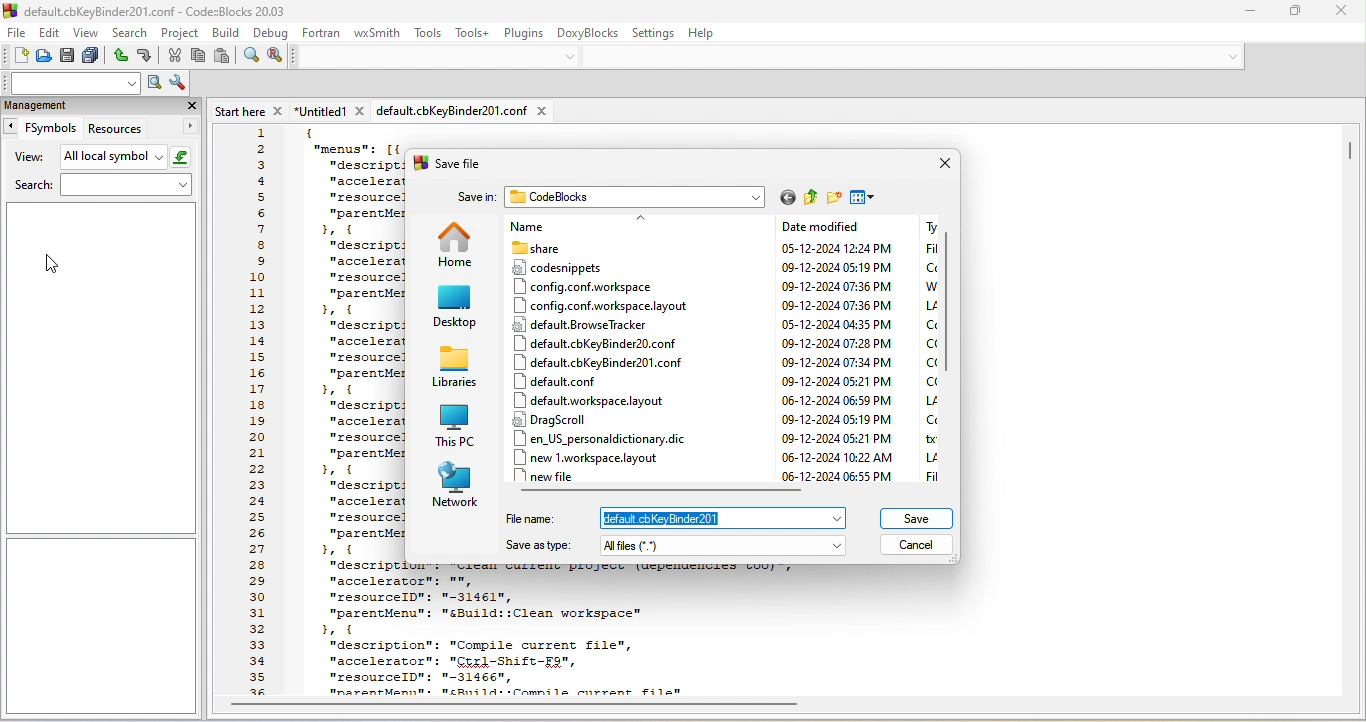  What do you see at coordinates (811, 198) in the screenshot?
I see `up one level` at bounding box center [811, 198].